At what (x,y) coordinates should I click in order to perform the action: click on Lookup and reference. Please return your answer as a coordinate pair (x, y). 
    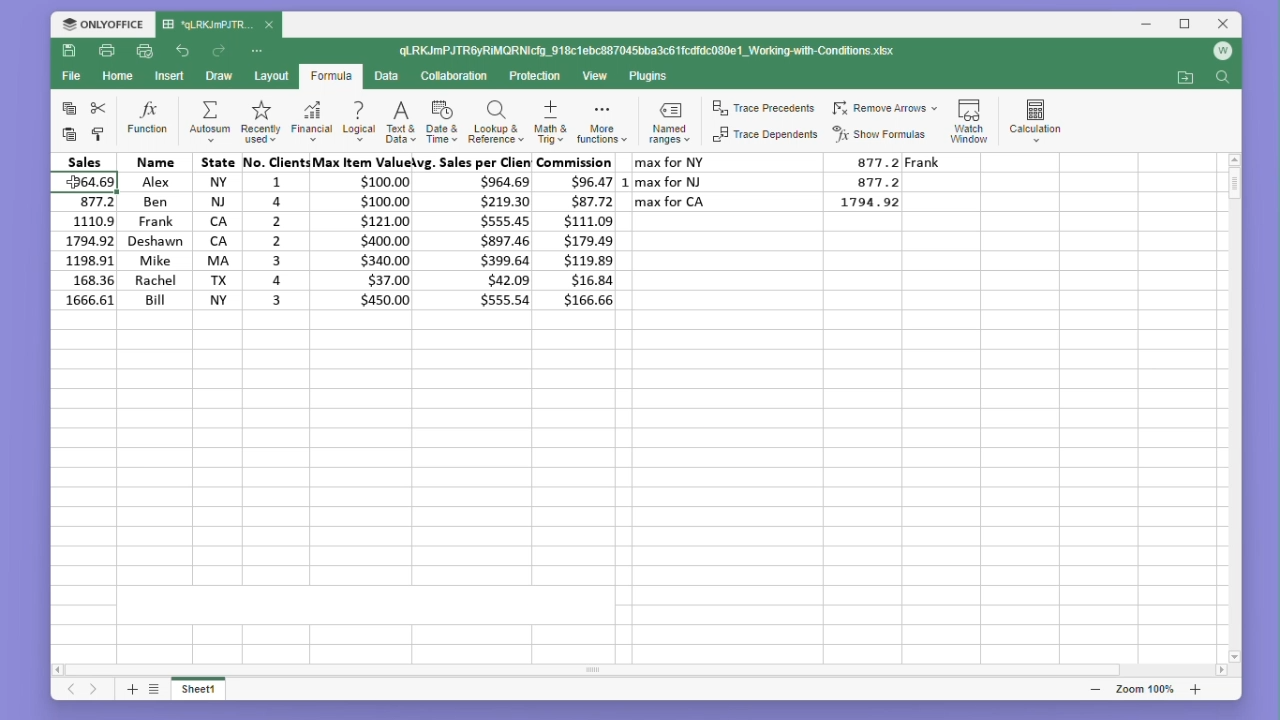
    Looking at the image, I should click on (496, 120).